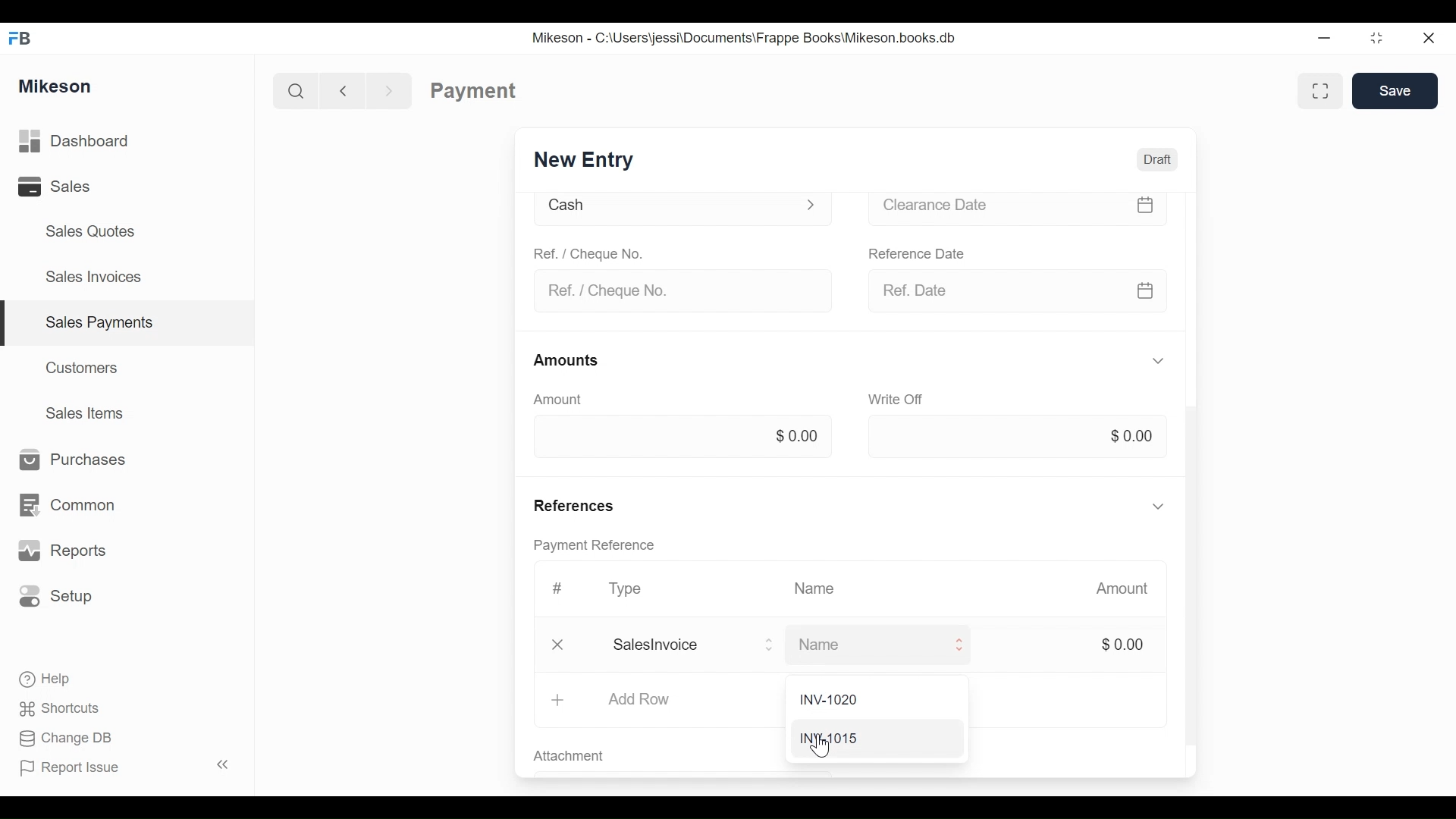 Image resolution: width=1456 pixels, height=819 pixels. Describe the element at coordinates (918, 253) in the screenshot. I see `Reference date` at that location.